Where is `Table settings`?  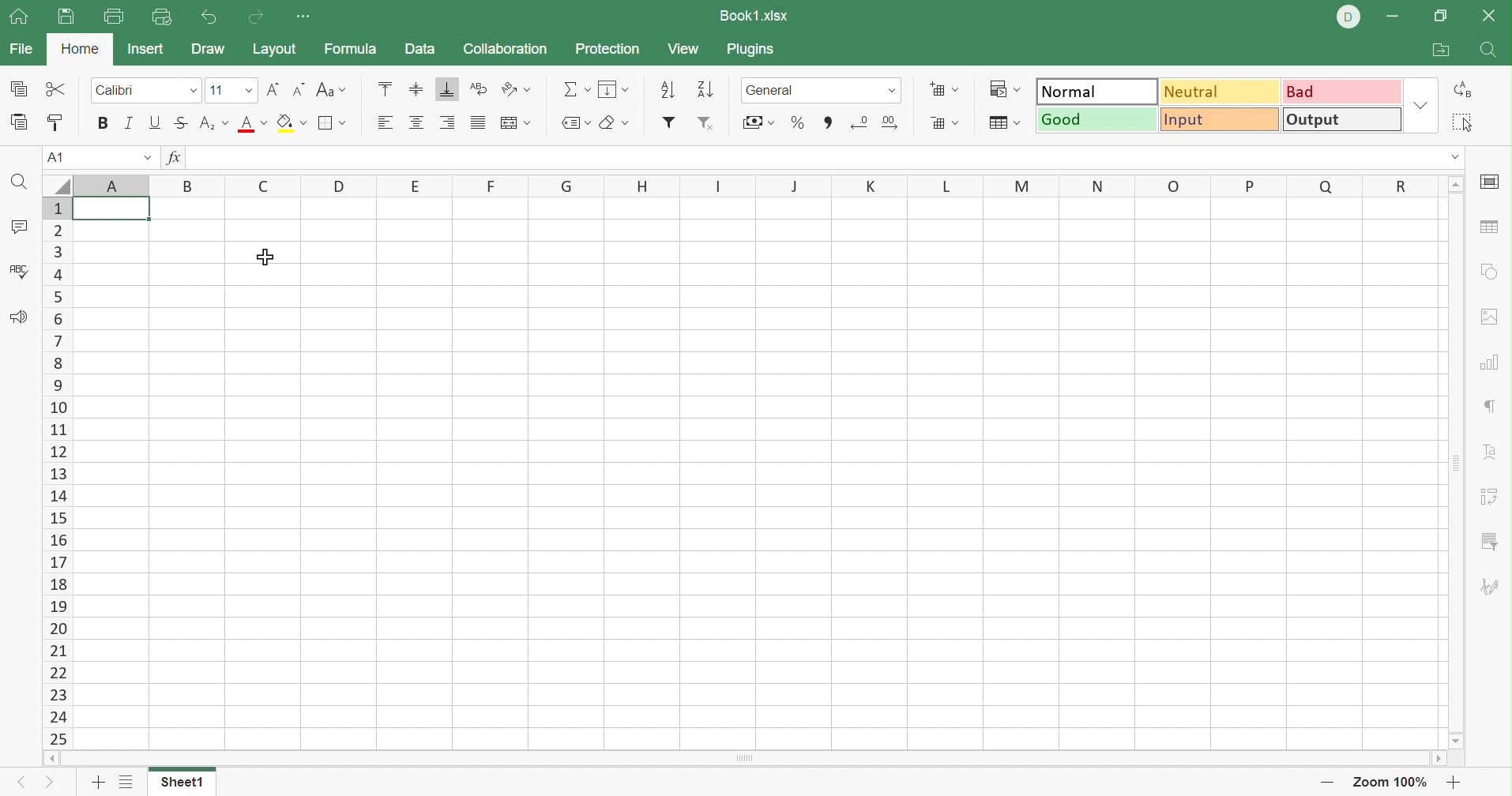 Table settings is located at coordinates (1491, 229).